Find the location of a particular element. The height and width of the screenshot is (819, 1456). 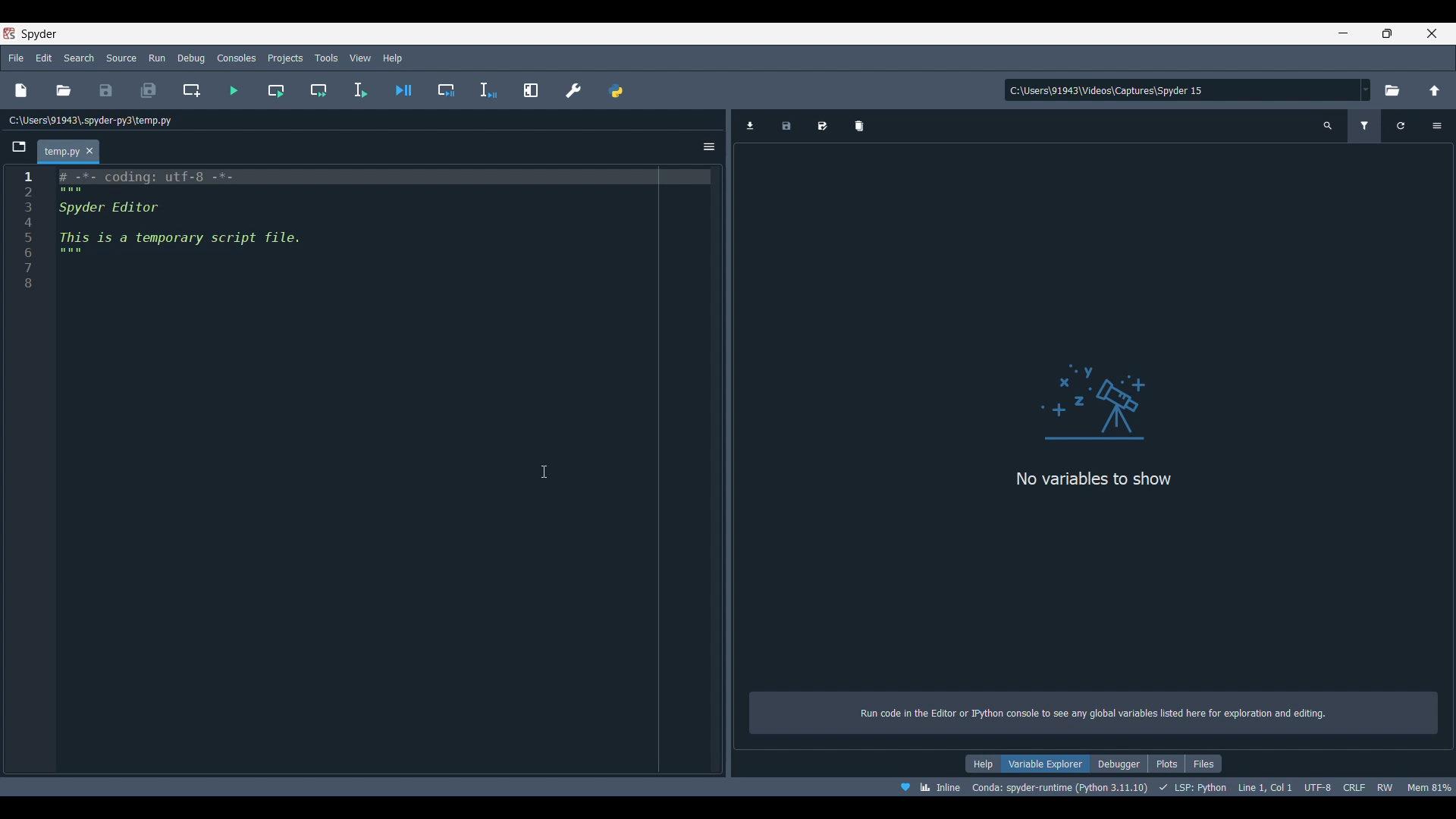

Options is located at coordinates (1437, 126).